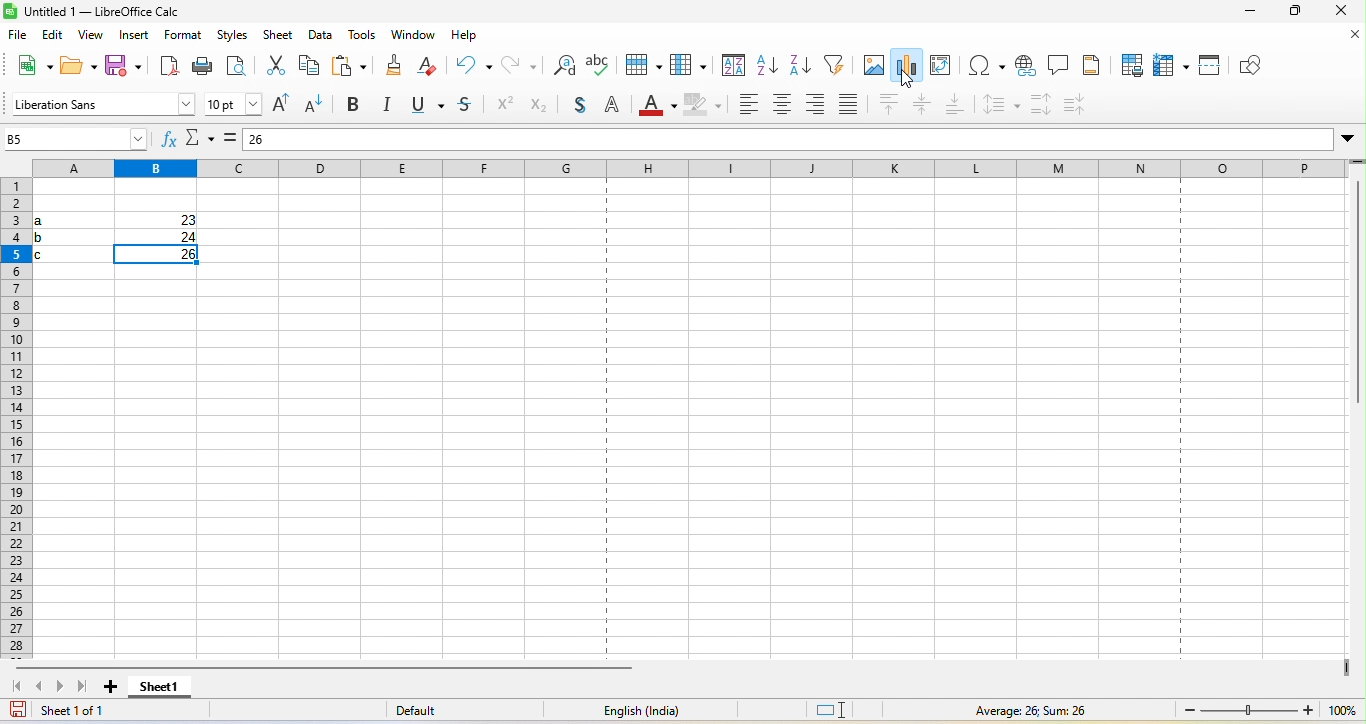 Image resolution: width=1366 pixels, height=724 pixels. I want to click on align bottom, so click(956, 107).